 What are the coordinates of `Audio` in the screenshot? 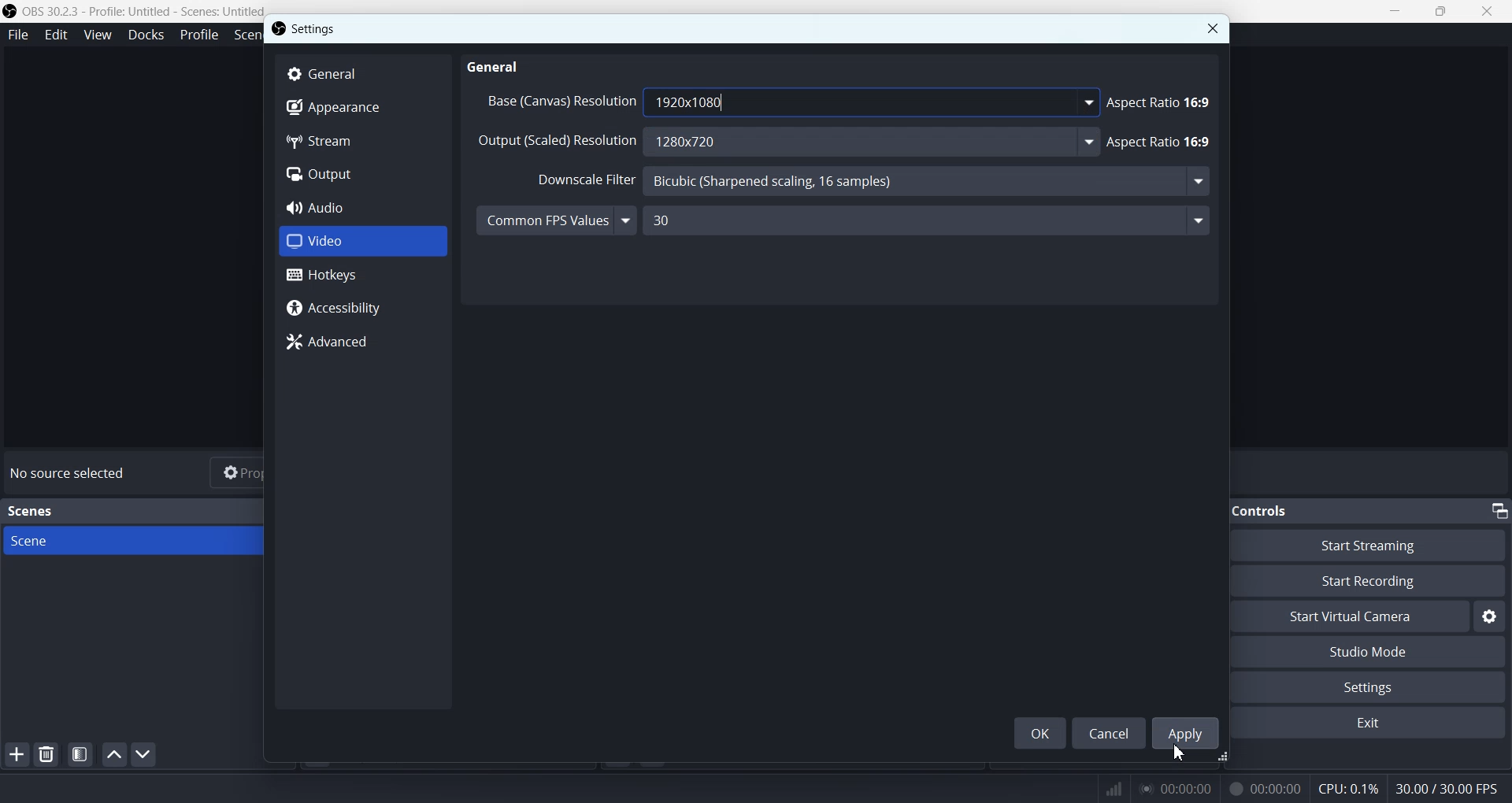 It's located at (362, 207).